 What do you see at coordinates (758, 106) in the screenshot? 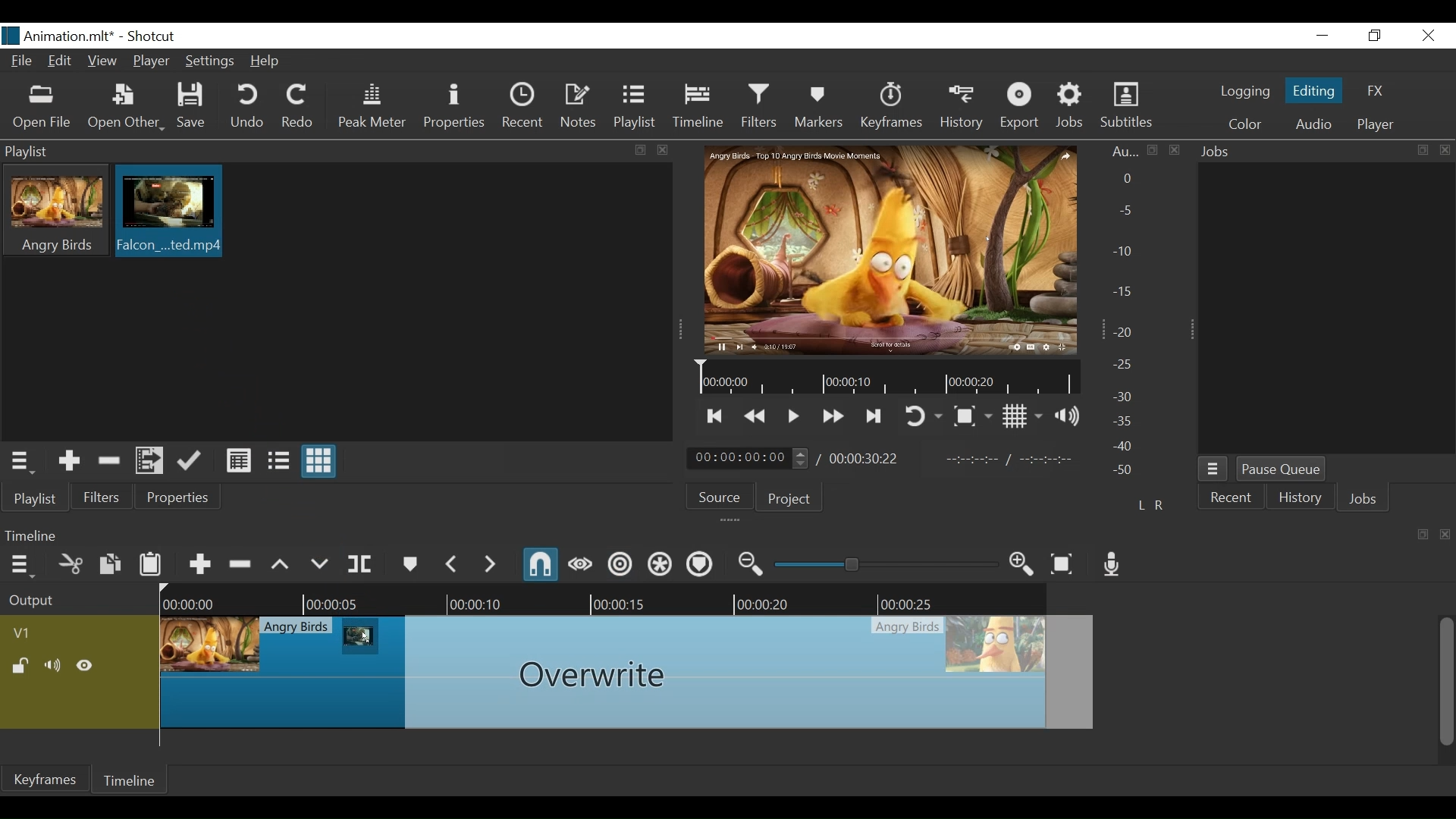
I see `Filters` at bounding box center [758, 106].